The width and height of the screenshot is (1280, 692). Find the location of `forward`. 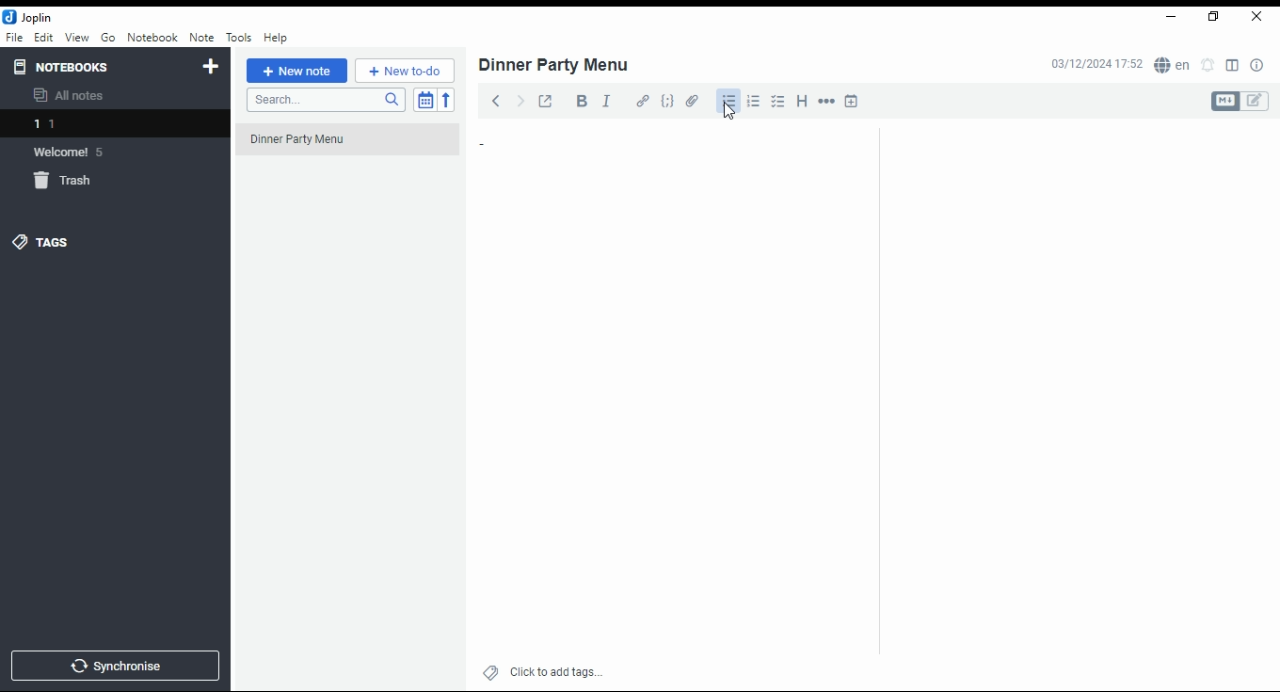

forward is located at coordinates (519, 98).